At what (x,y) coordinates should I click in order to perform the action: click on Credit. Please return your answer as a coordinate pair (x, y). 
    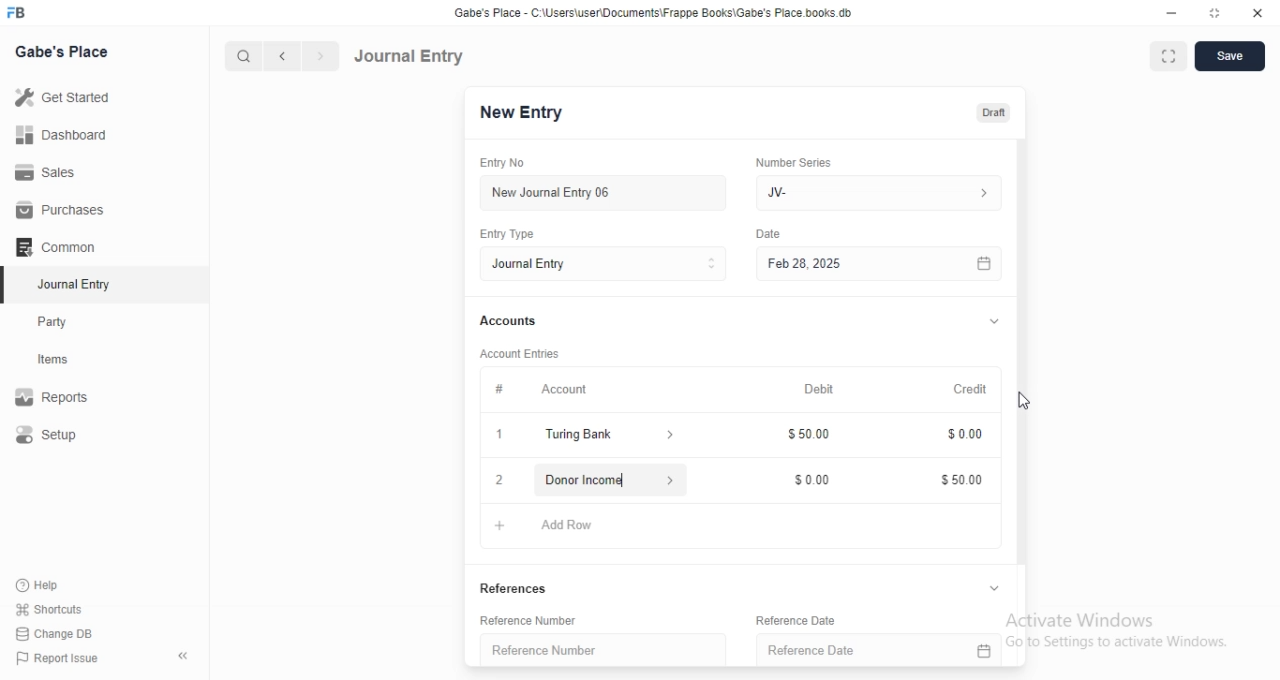
    Looking at the image, I should click on (970, 389).